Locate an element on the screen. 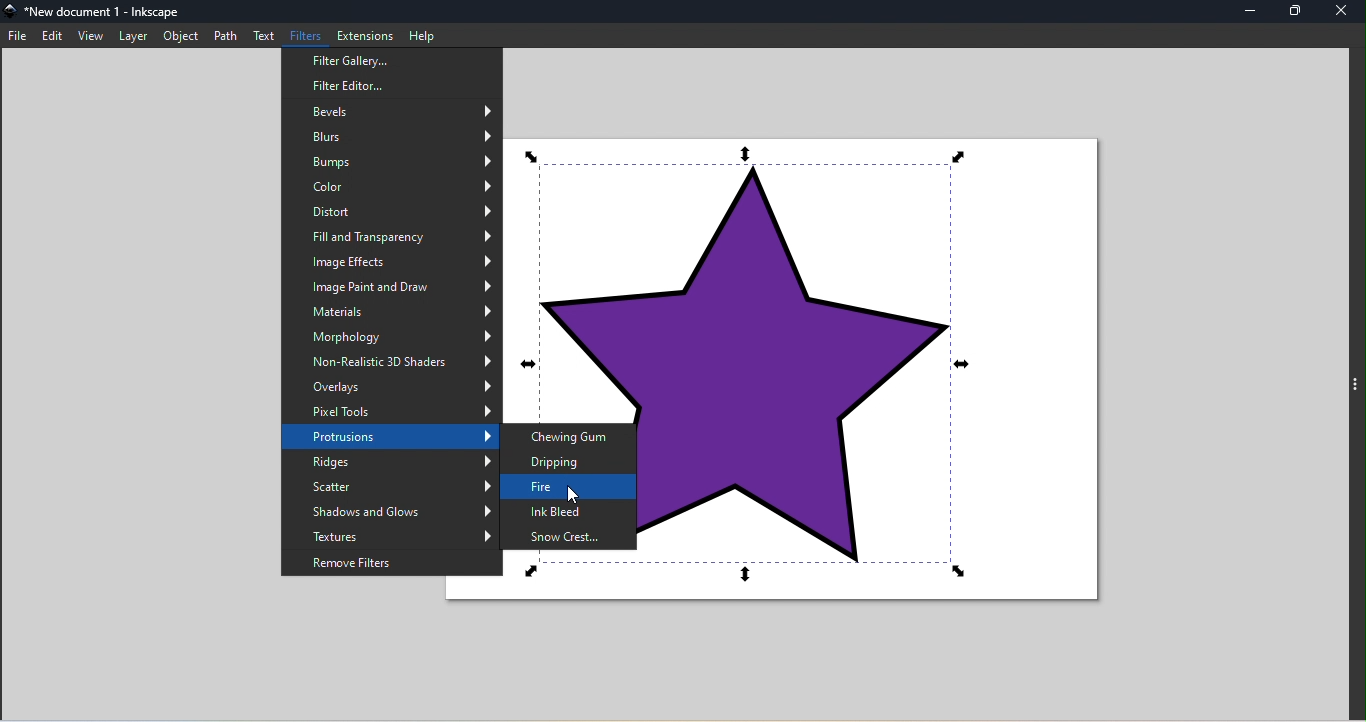 This screenshot has height=722, width=1366. Extensions is located at coordinates (365, 35).